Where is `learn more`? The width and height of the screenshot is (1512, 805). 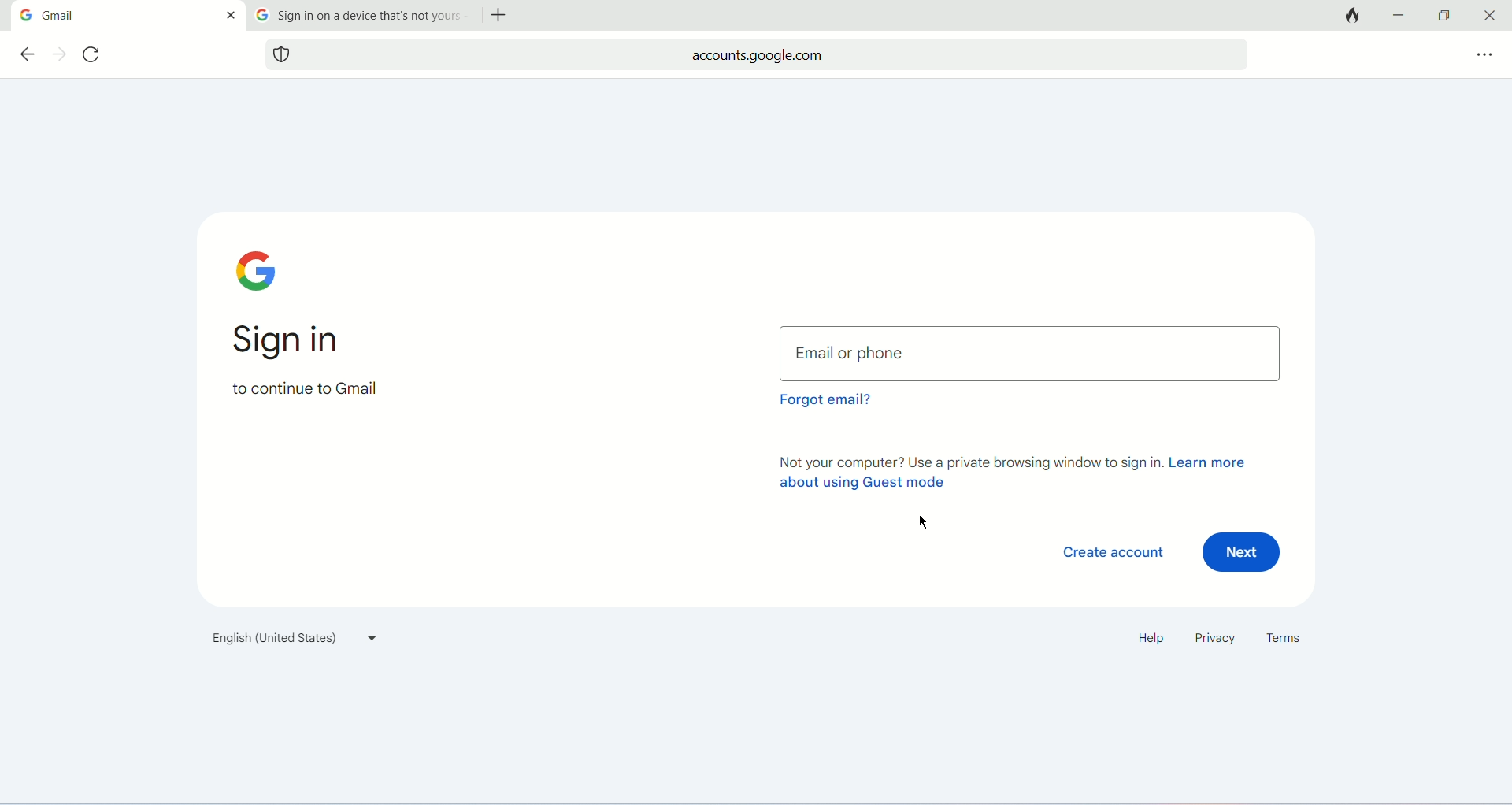 learn more is located at coordinates (1211, 463).